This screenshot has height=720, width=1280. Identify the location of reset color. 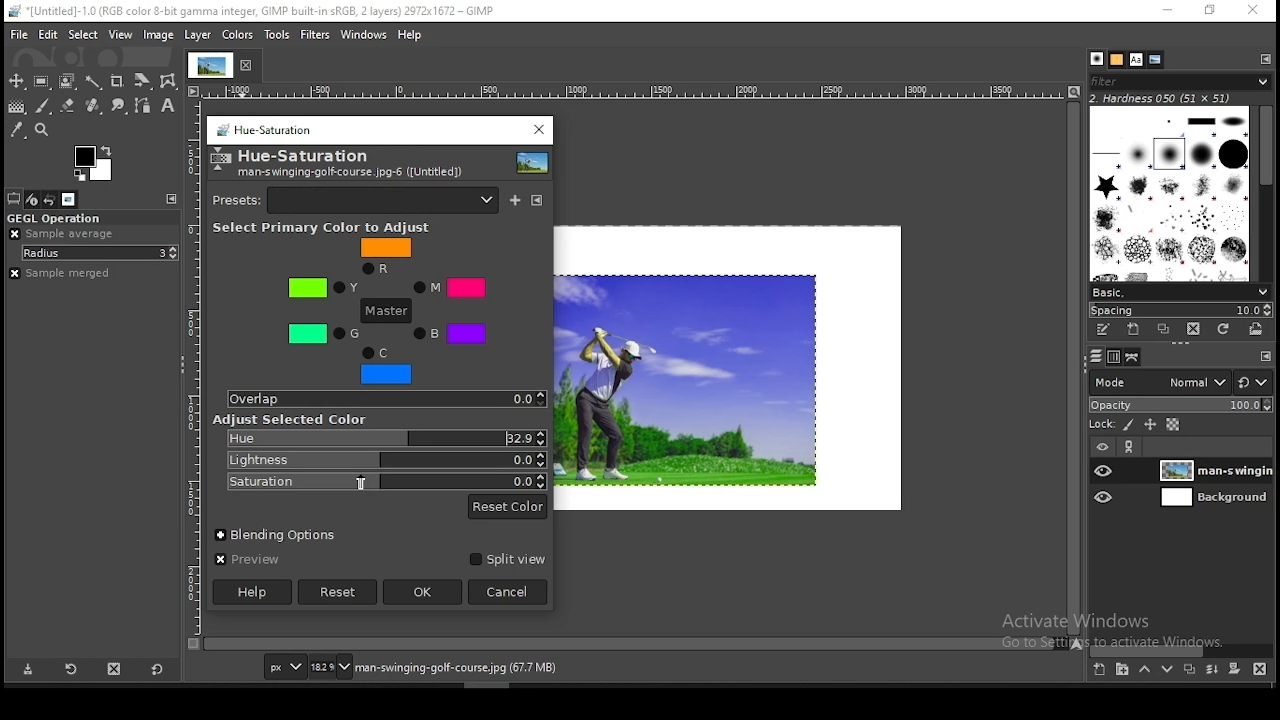
(508, 507).